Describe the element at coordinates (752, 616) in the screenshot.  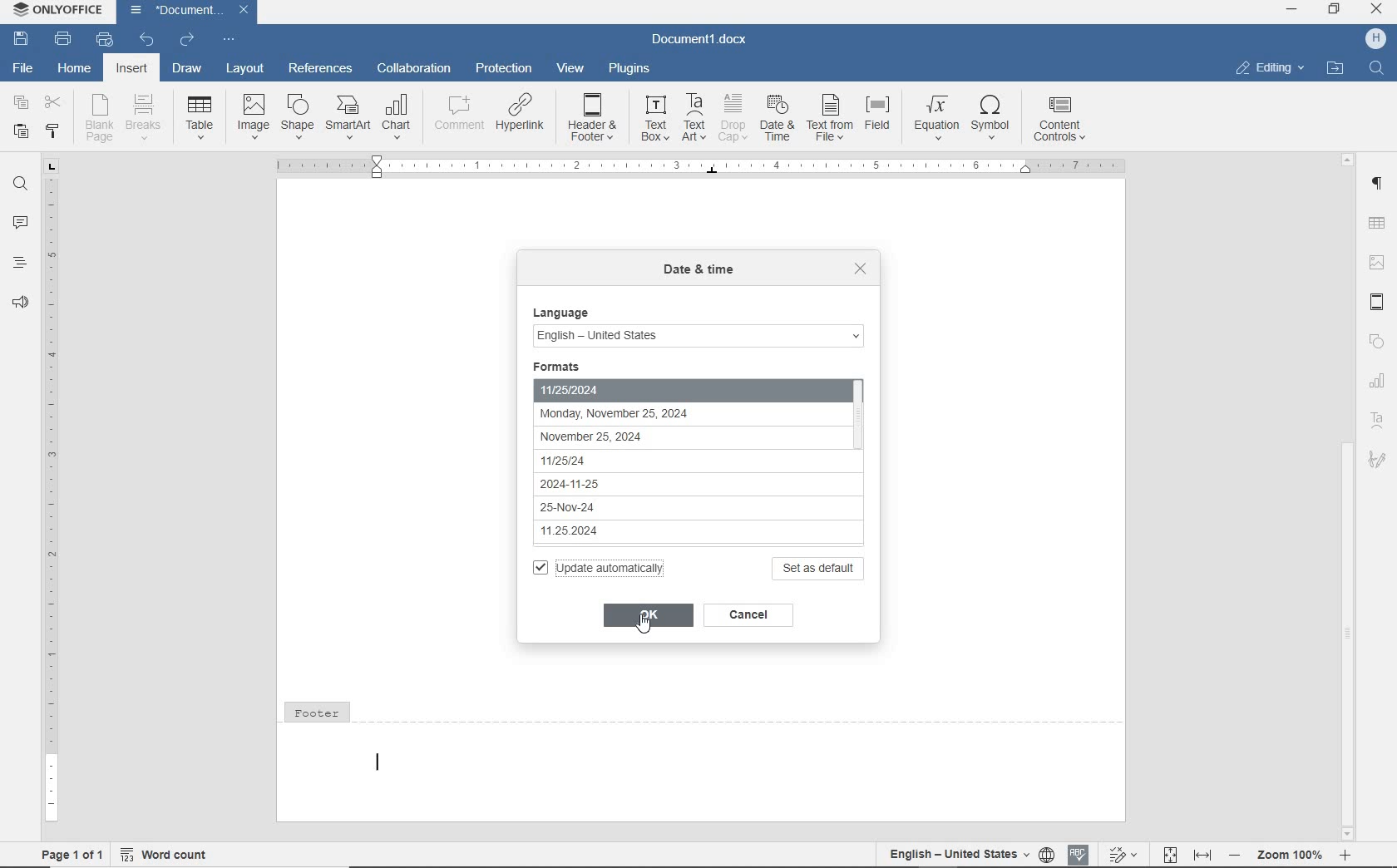
I see `cancel` at that location.